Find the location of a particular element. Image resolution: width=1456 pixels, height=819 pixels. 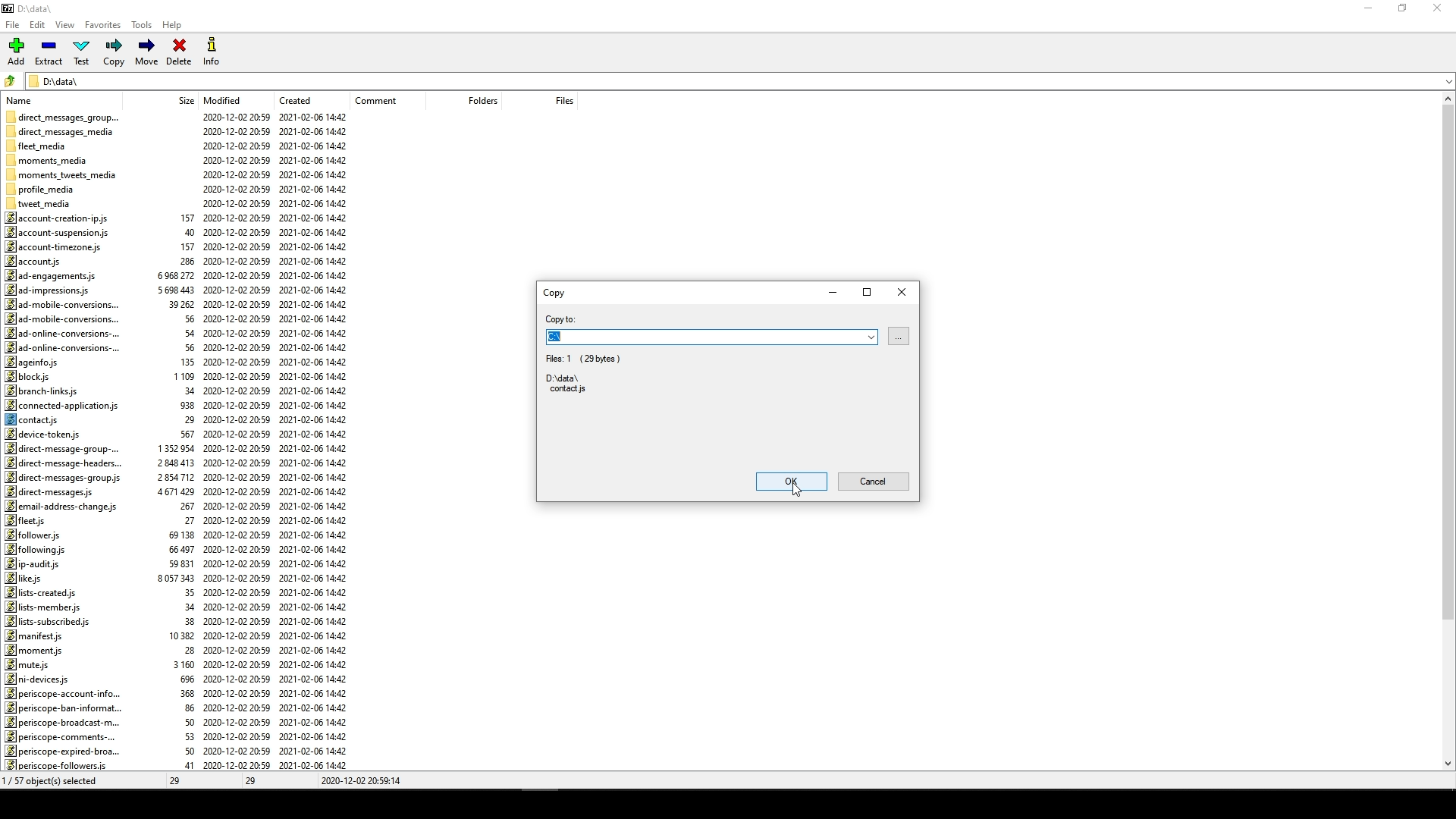

direct-message-group is located at coordinates (67, 449).